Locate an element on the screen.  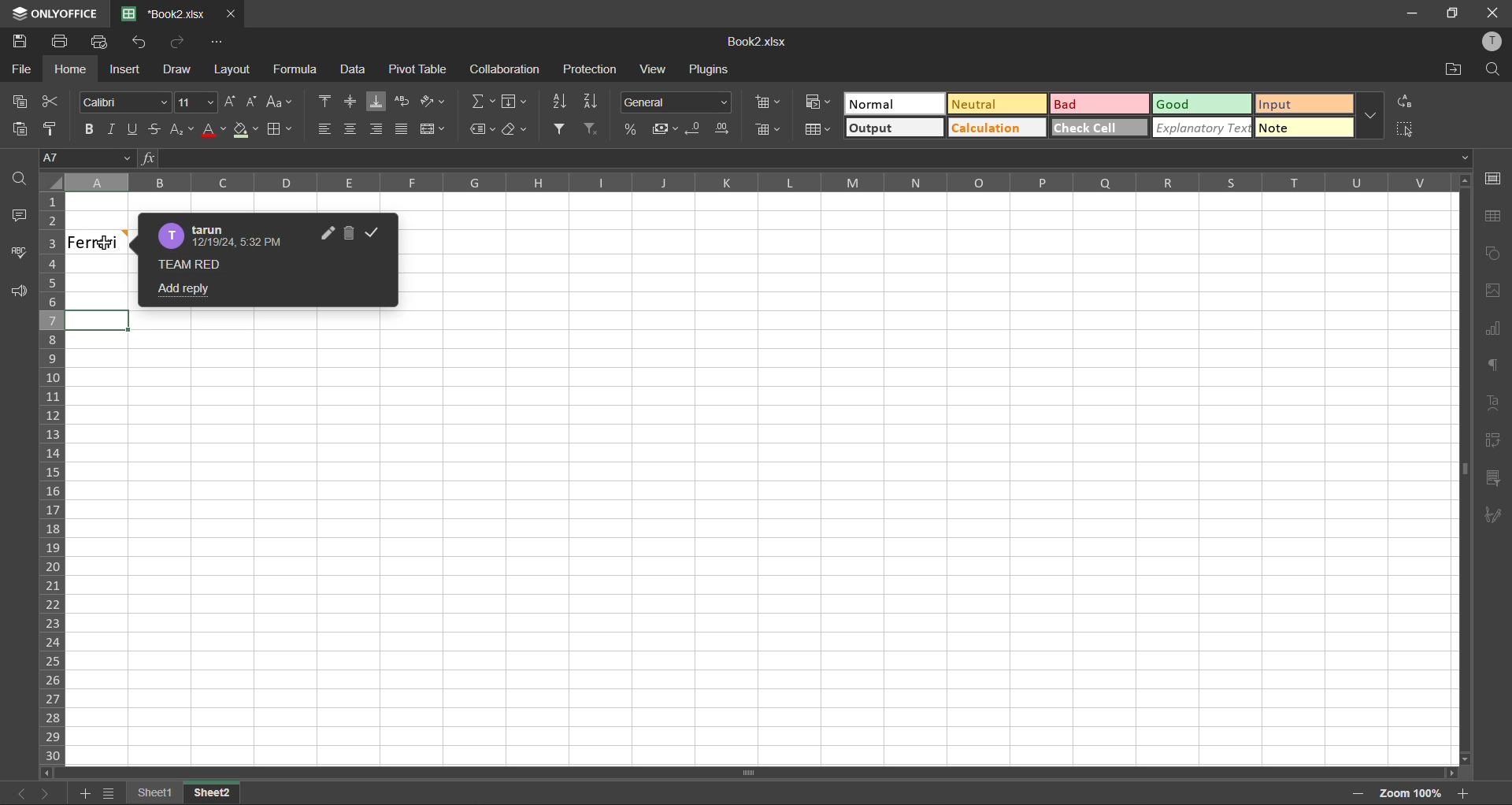
insert is located at coordinates (122, 70).